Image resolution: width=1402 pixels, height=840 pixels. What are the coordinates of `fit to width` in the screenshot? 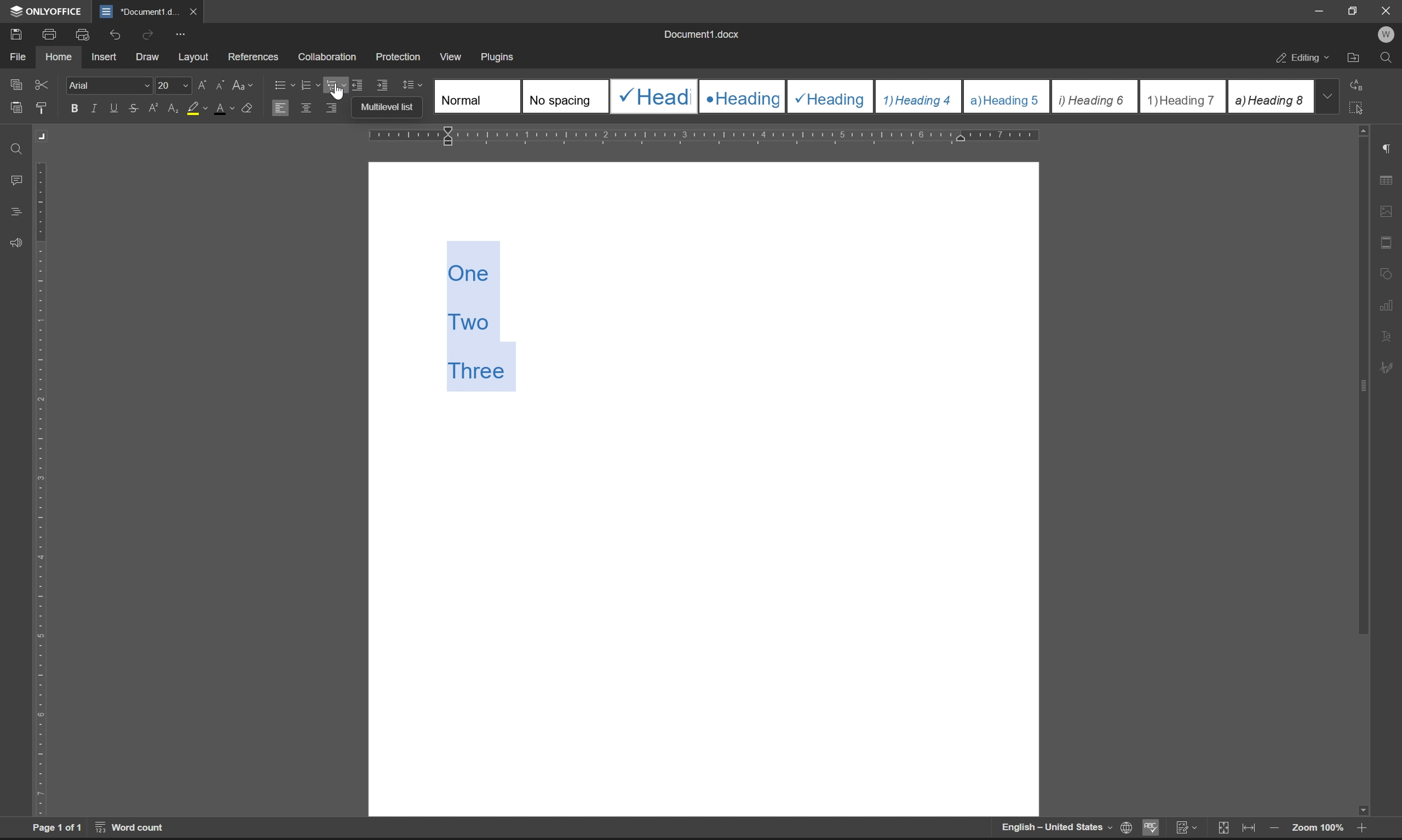 It's located at (1249, 828).